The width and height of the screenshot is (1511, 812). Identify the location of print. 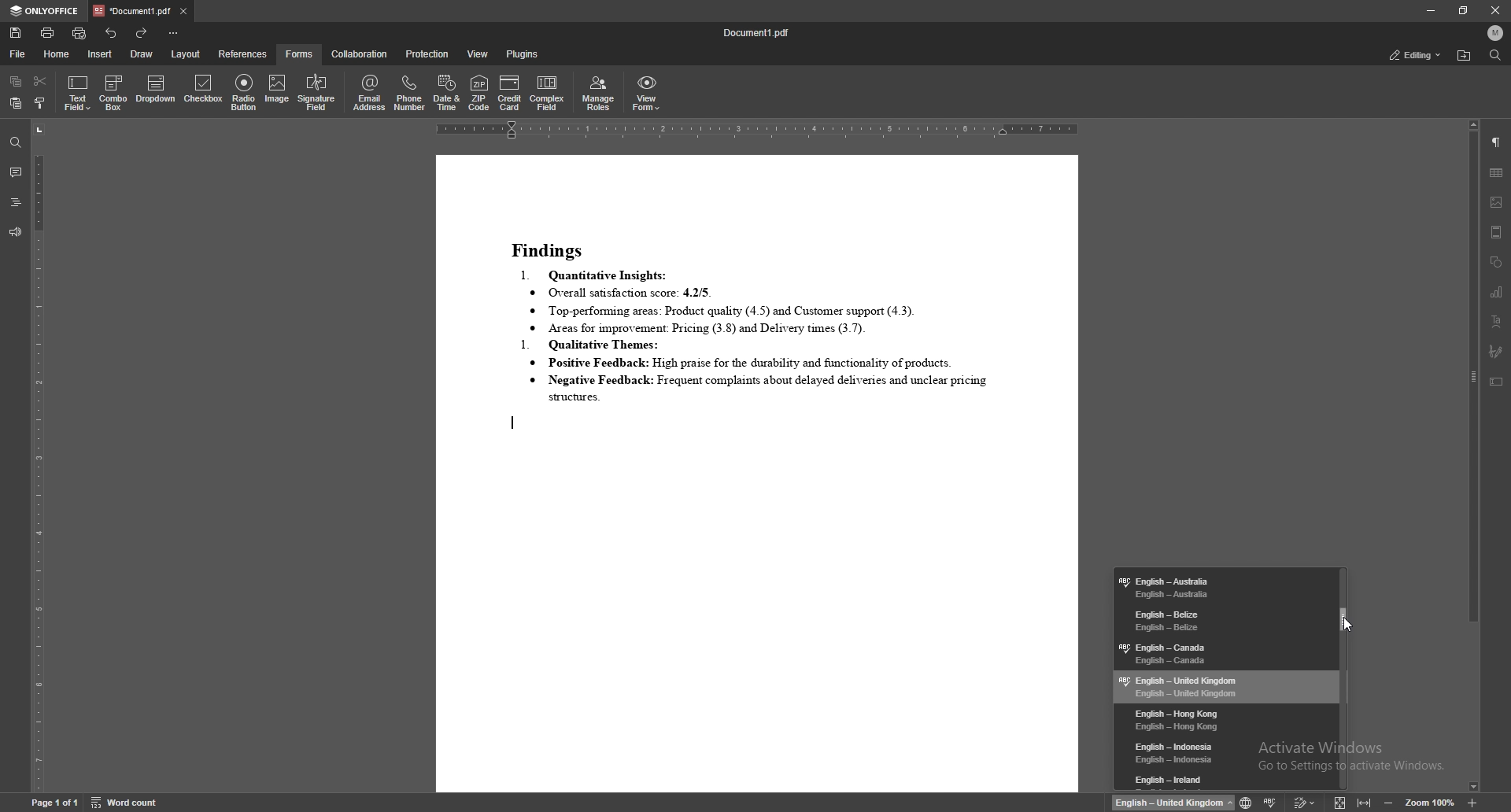
(48, 32).